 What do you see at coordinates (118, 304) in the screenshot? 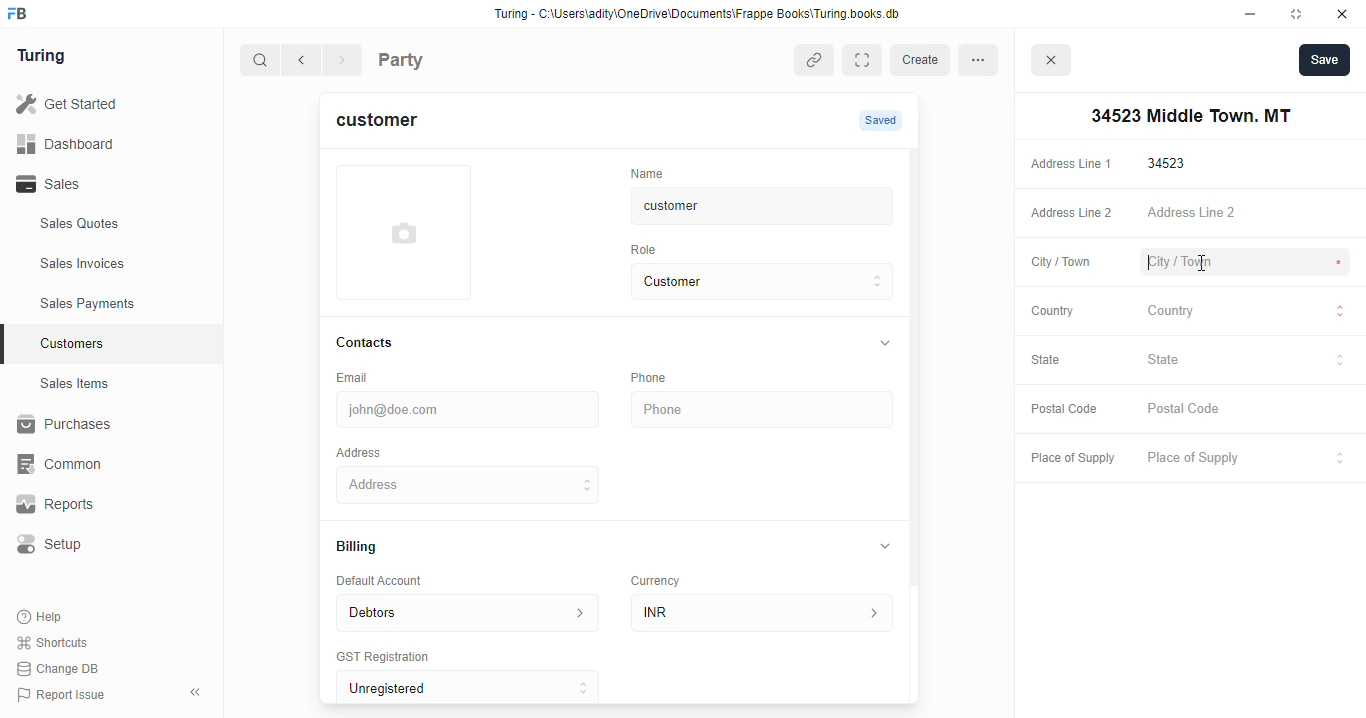
I see `Sales Payments` at bounding box center [118, 304].